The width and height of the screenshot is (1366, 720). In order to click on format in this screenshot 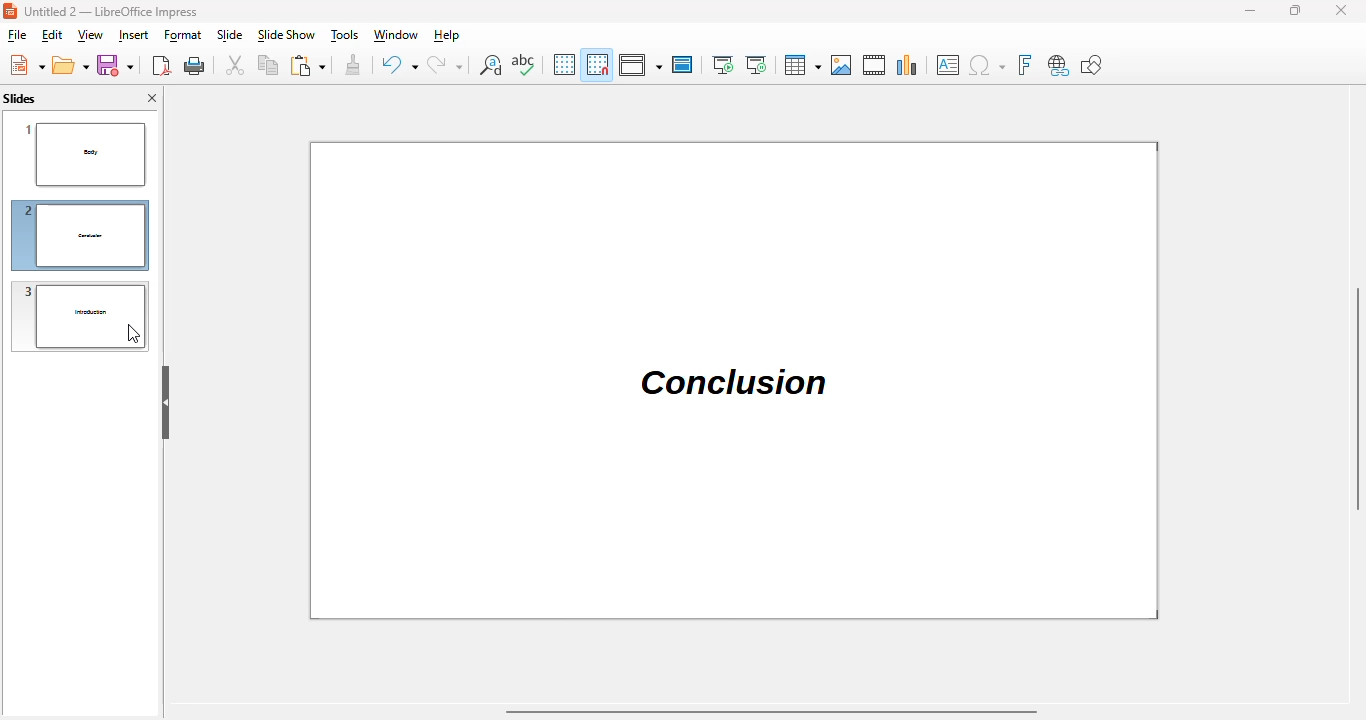, I will do `click(183, 36)`.